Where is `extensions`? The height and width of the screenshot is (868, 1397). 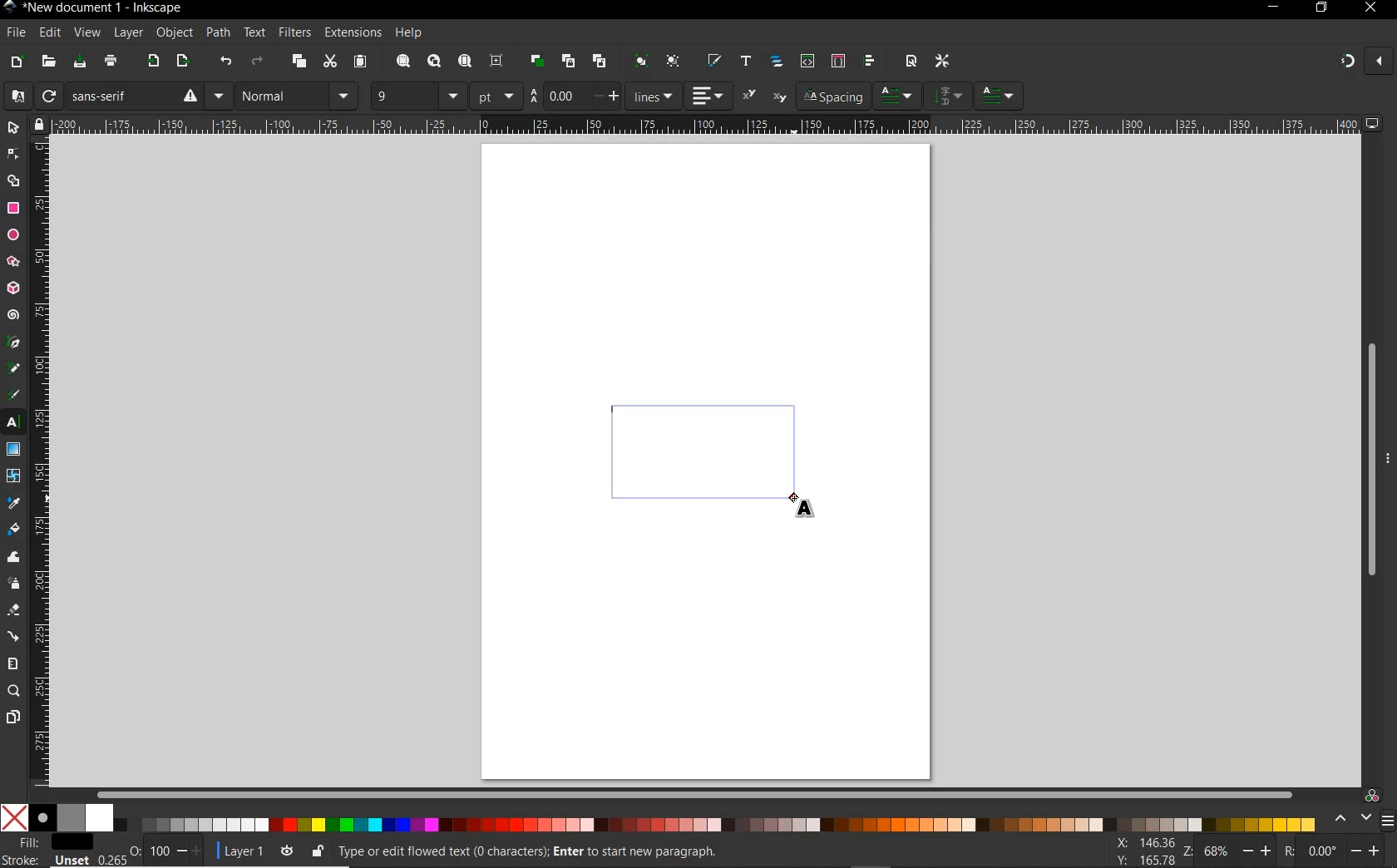 extensions is located at coordinates (352, 33).